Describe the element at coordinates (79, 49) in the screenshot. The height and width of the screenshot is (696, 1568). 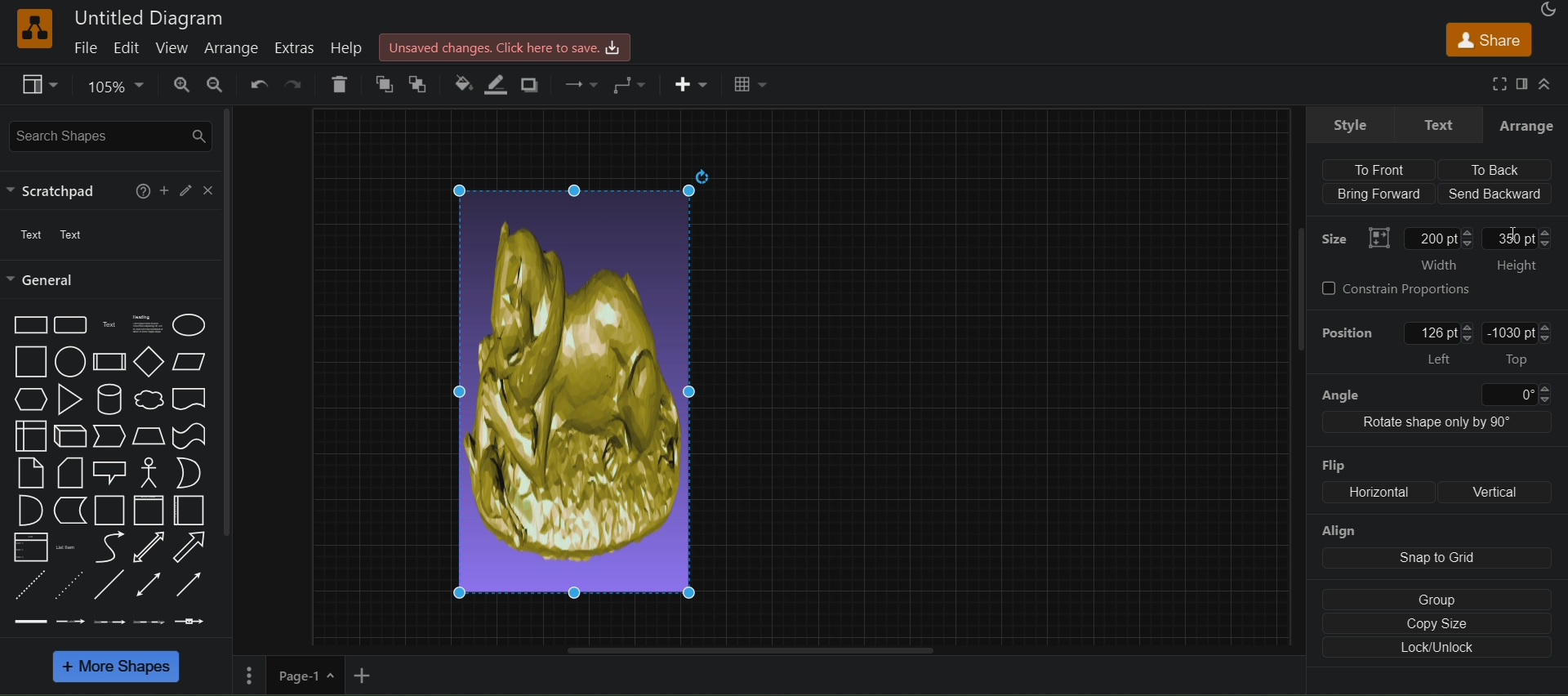
I see `file` at that location.